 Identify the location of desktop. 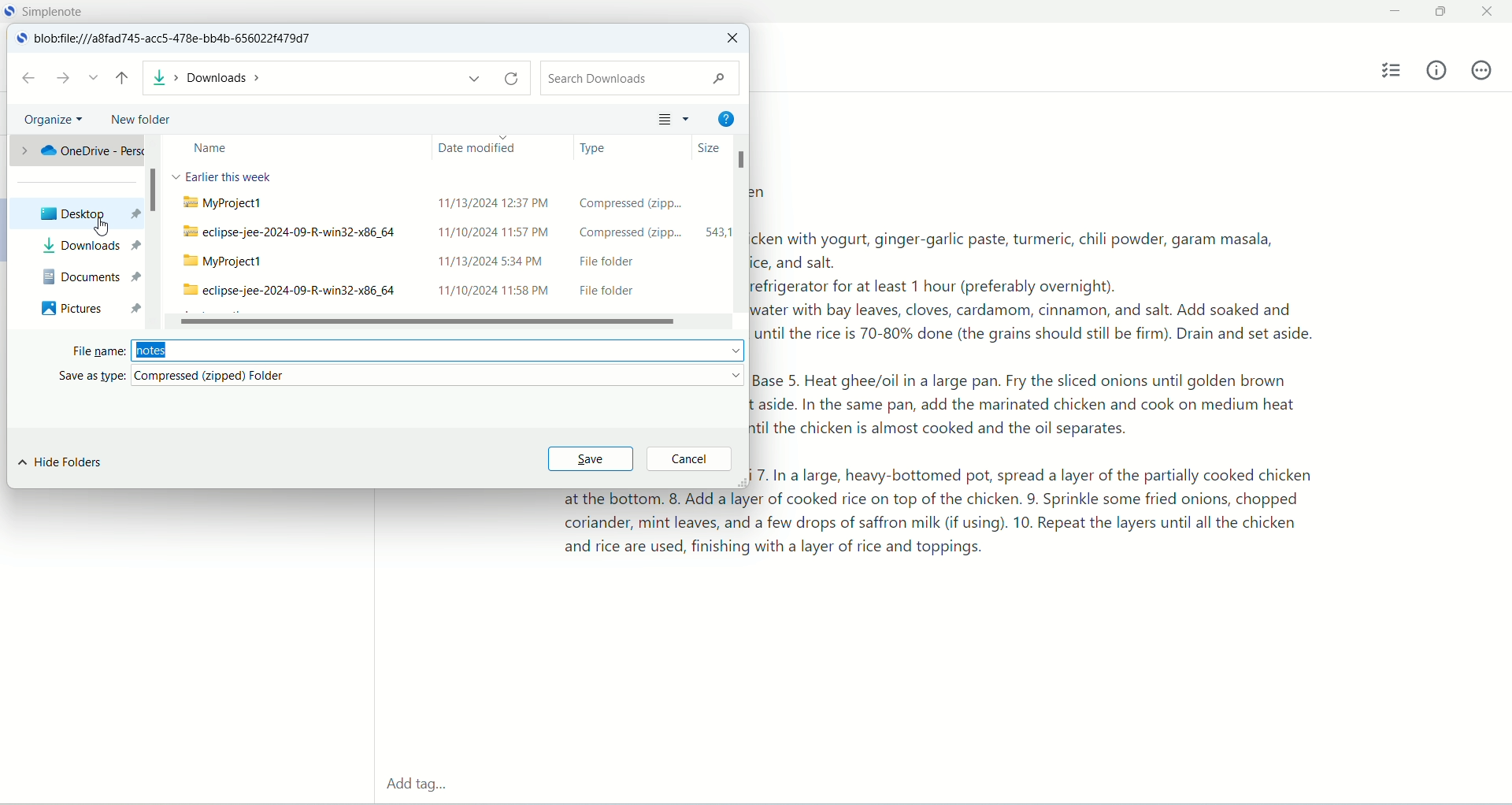
(73, 213).